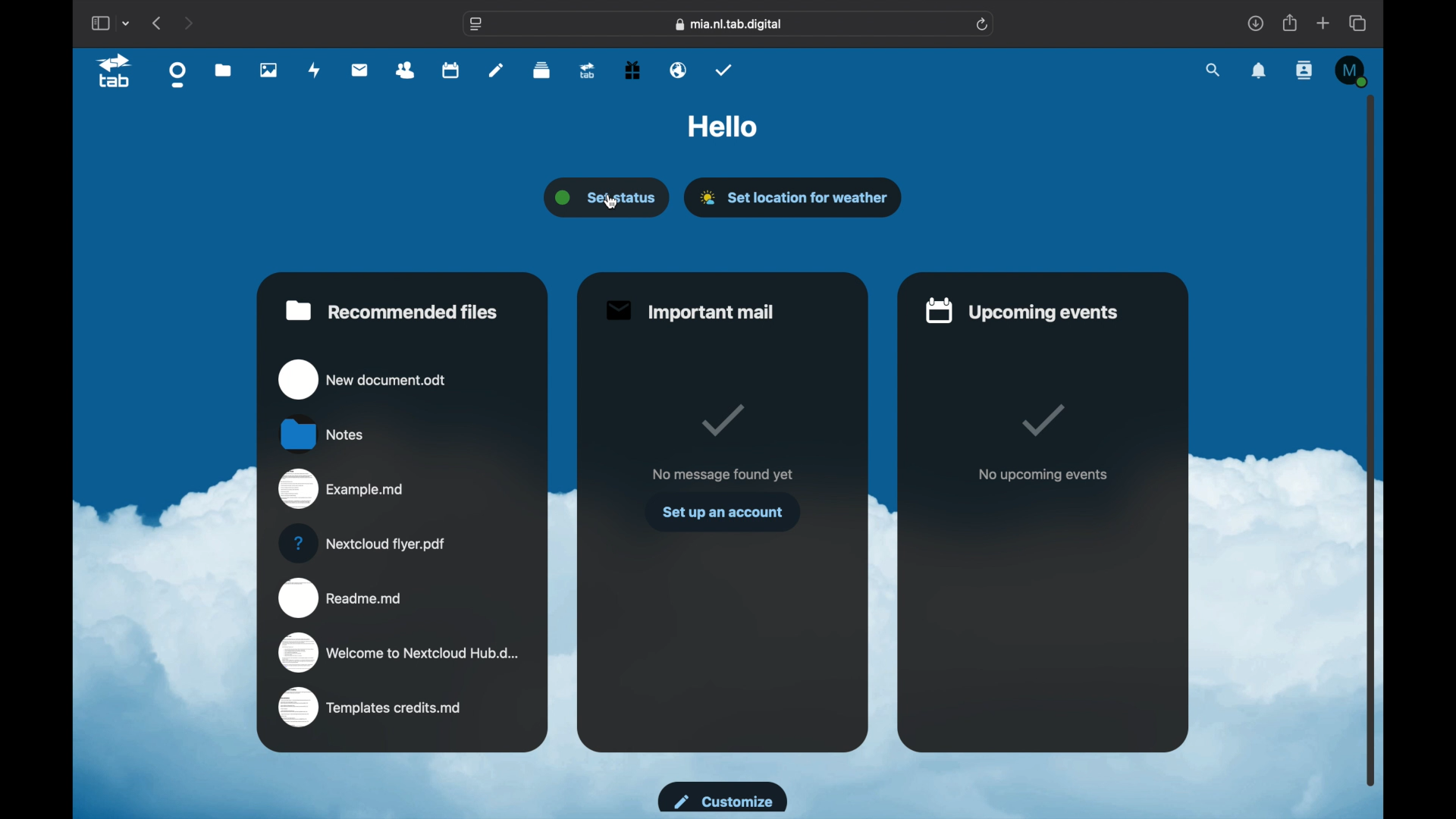 The image size is (1456, 819). What do you see at coordinates (156, 22) in the screenshot?
I see `previous` at bounding box center [156, 22].